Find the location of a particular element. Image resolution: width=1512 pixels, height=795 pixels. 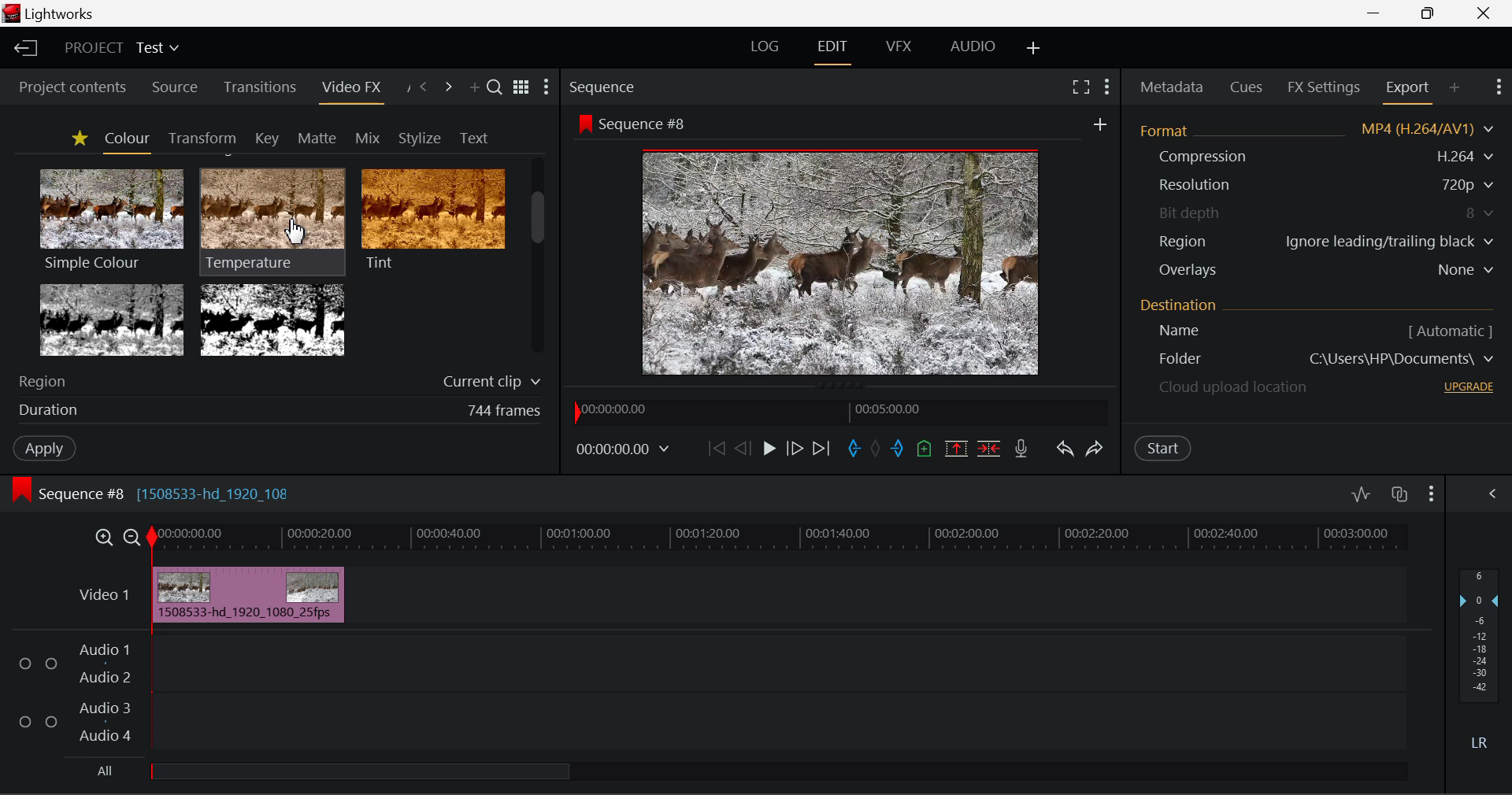

Cloud upload location - upgrade is located at coordinates (1234, 390).